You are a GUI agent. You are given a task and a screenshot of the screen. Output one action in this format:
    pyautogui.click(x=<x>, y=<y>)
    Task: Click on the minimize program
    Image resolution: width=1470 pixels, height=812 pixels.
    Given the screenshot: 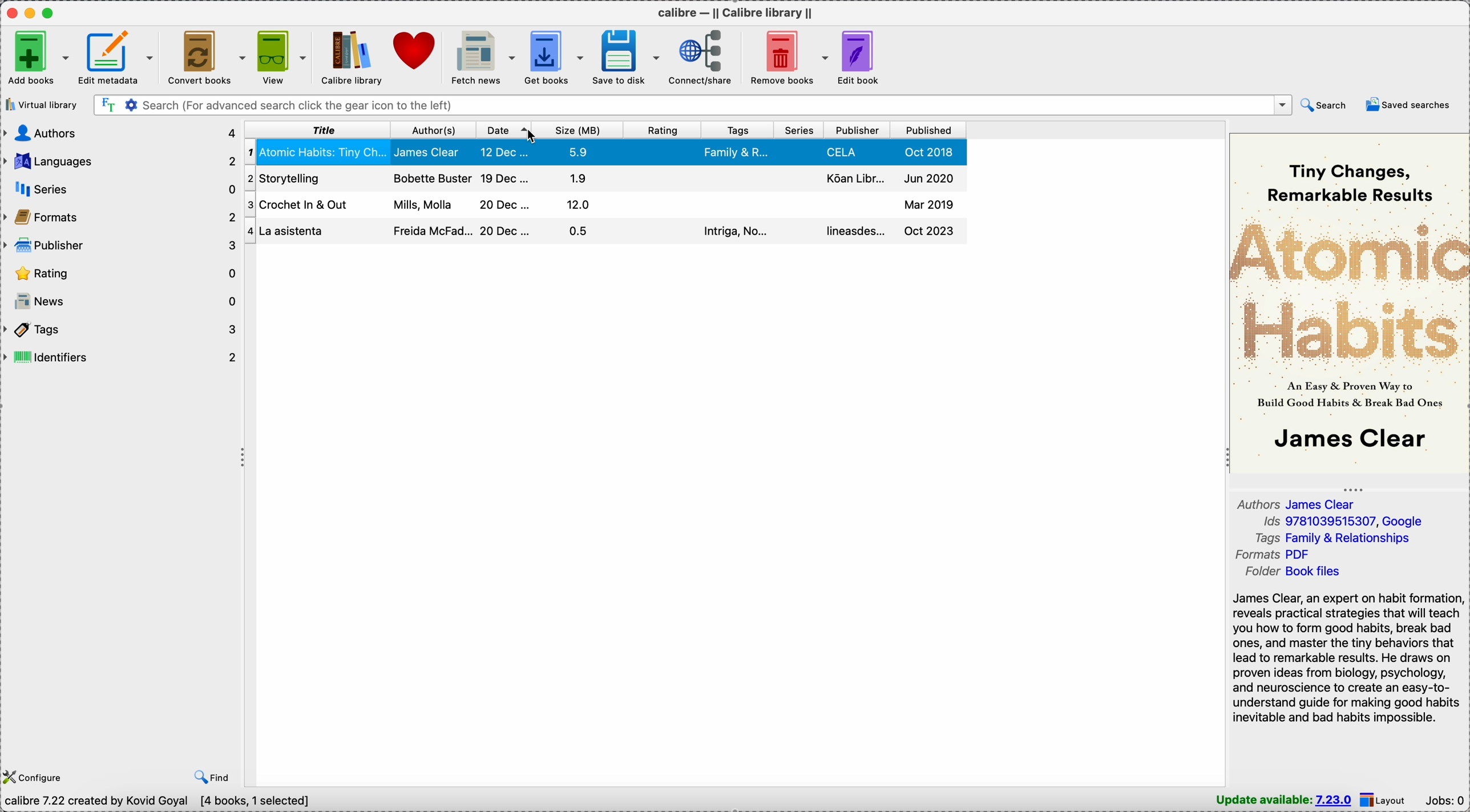 What is the action you would take?
    pyautogui.click(x=32, y=12)
    